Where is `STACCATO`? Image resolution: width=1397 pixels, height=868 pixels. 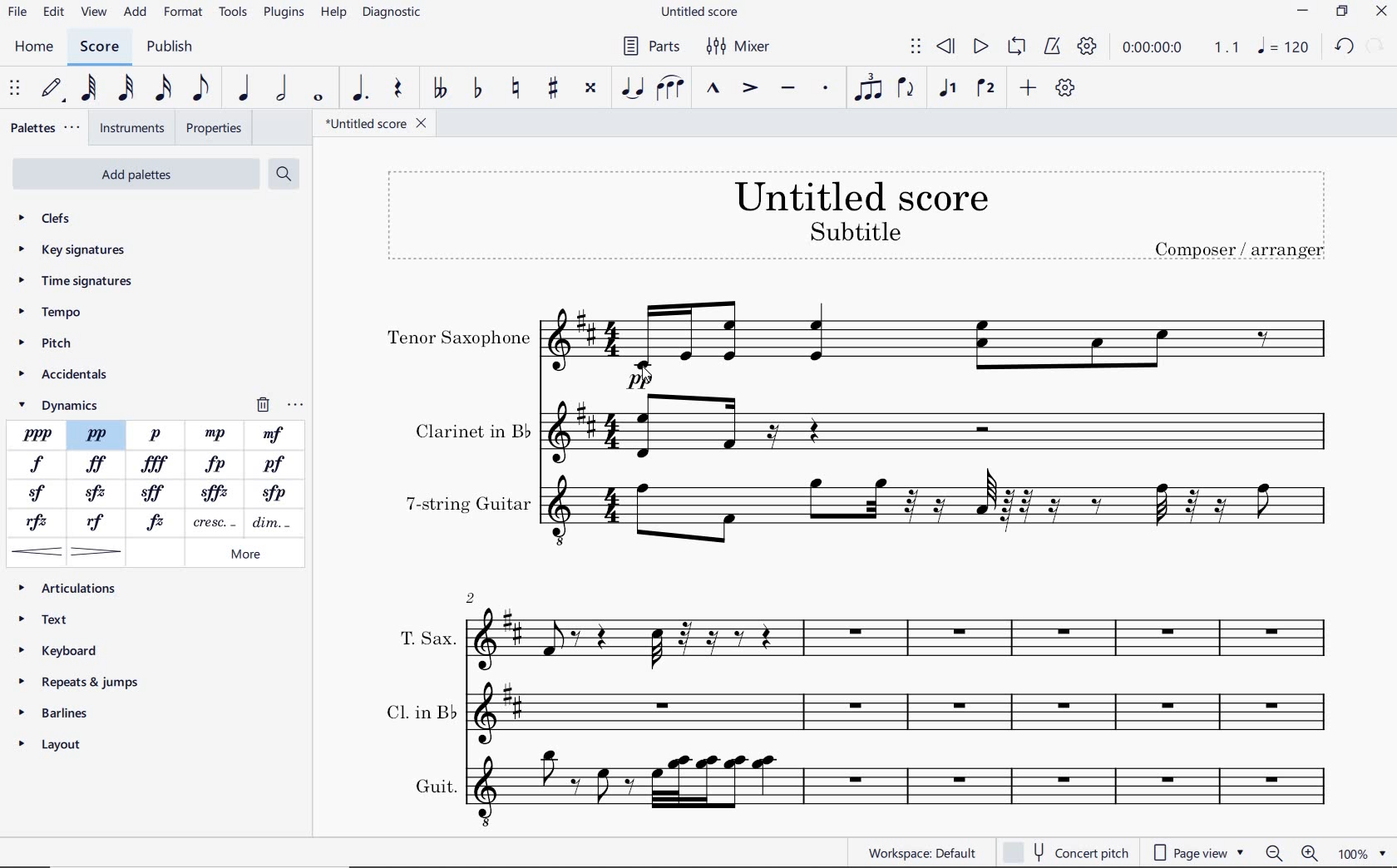 STACCATO is located at coordinates (828, 90).